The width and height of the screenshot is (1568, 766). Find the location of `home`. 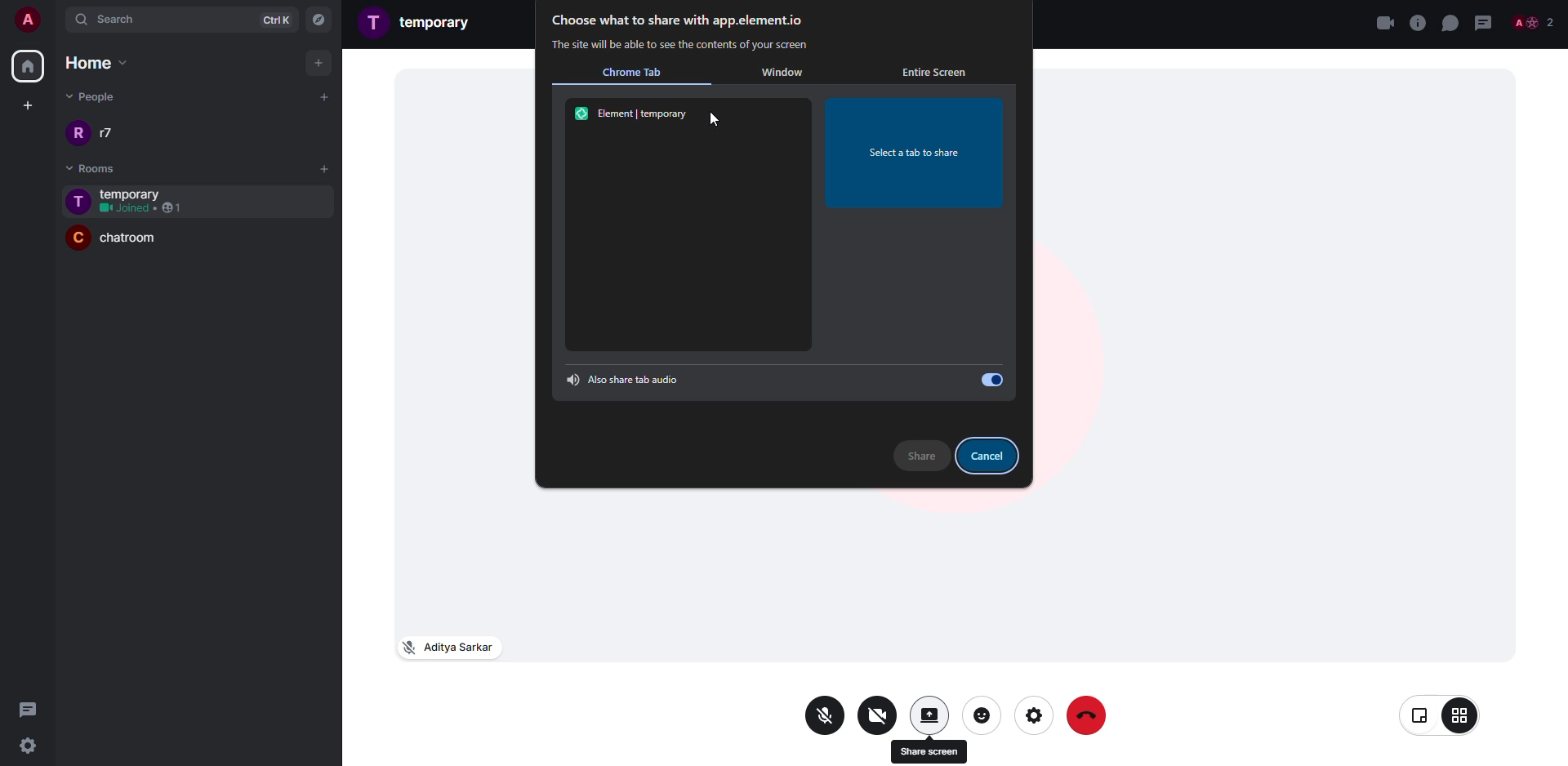

home is located at coordinates (91, 62).